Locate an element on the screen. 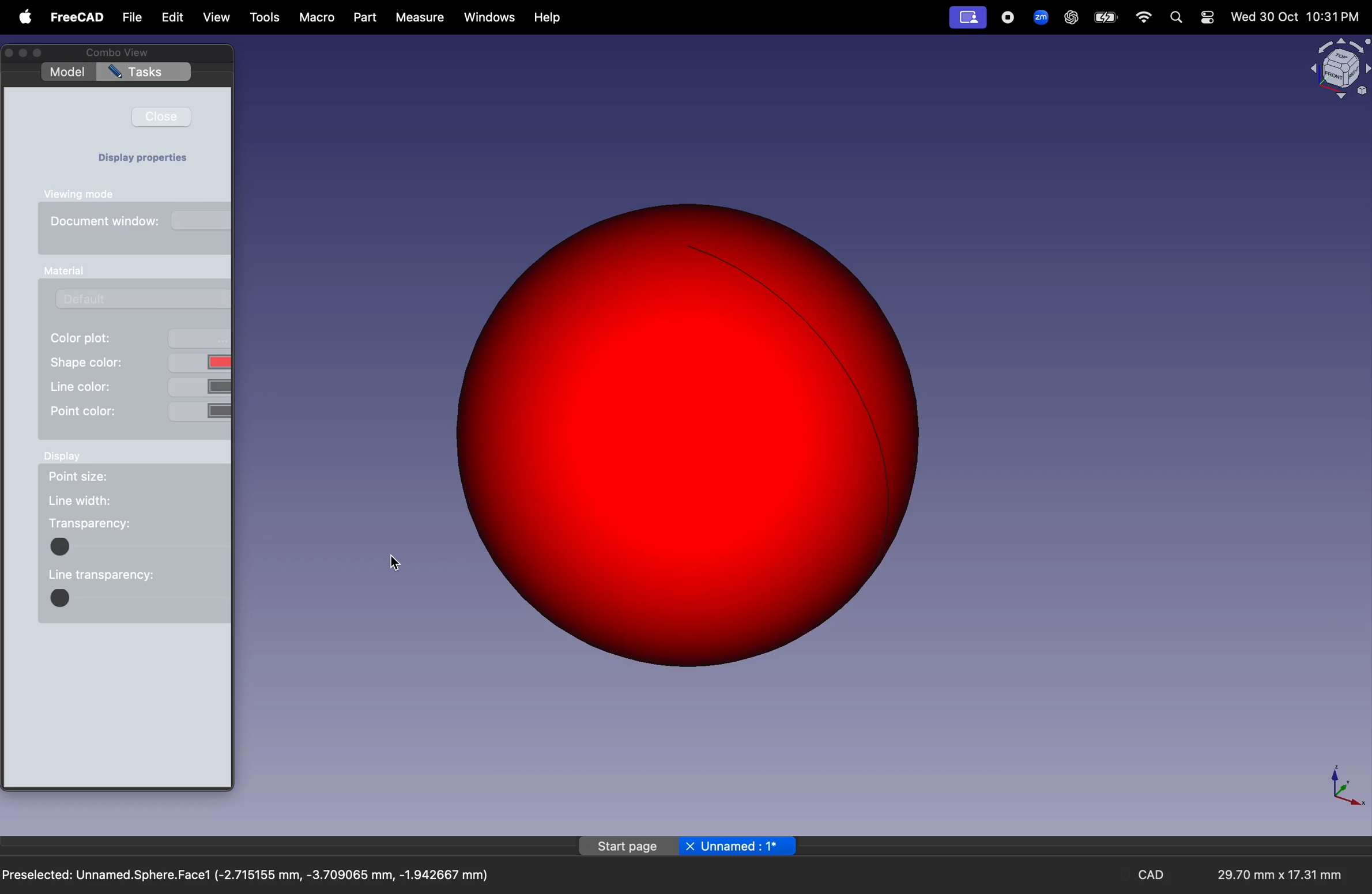 The height and width of the screenshot is (894, 1372). tools is located at coordinates (266, 18).